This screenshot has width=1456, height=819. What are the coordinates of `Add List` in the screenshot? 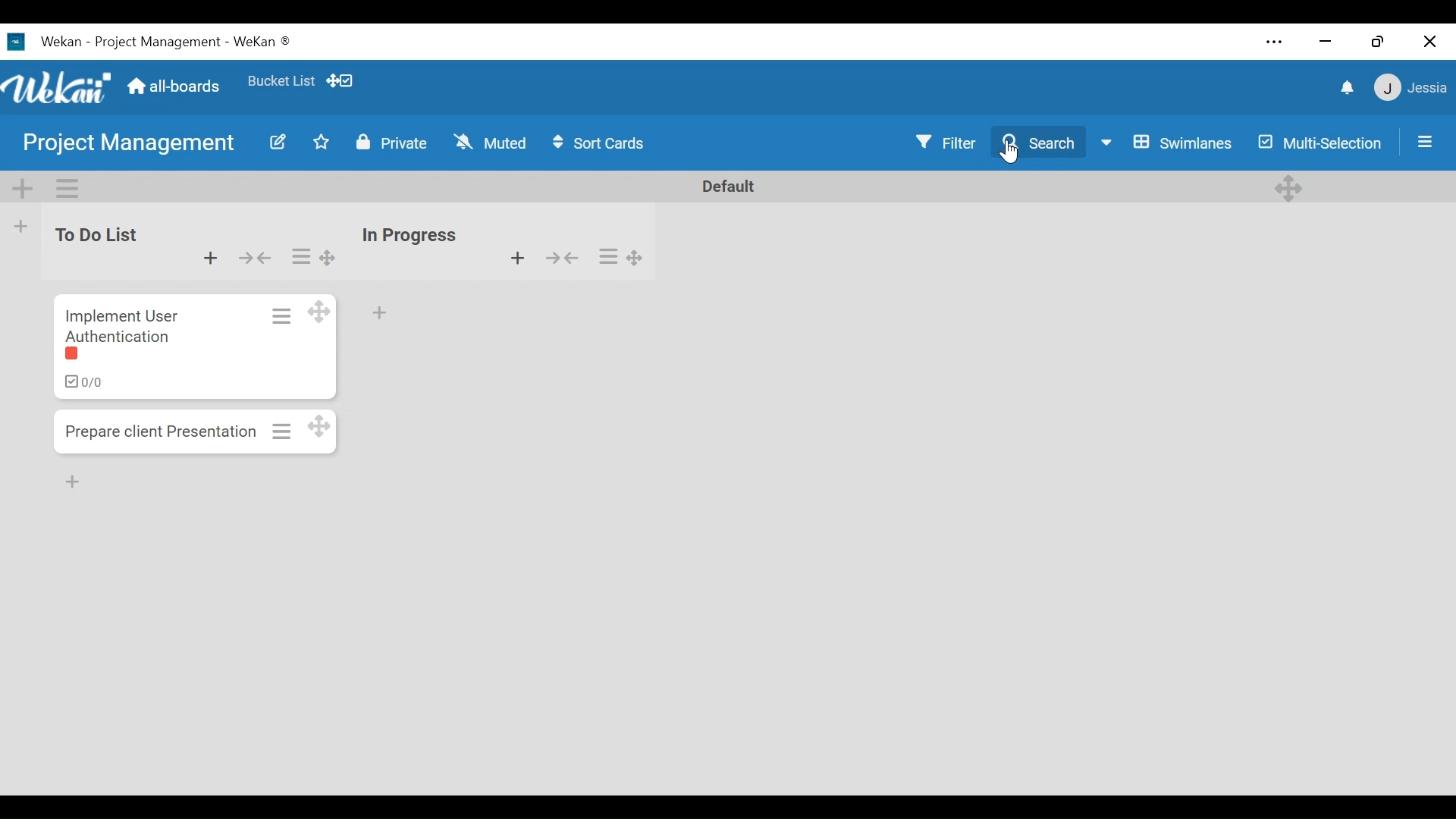 It's located at (24, 227).